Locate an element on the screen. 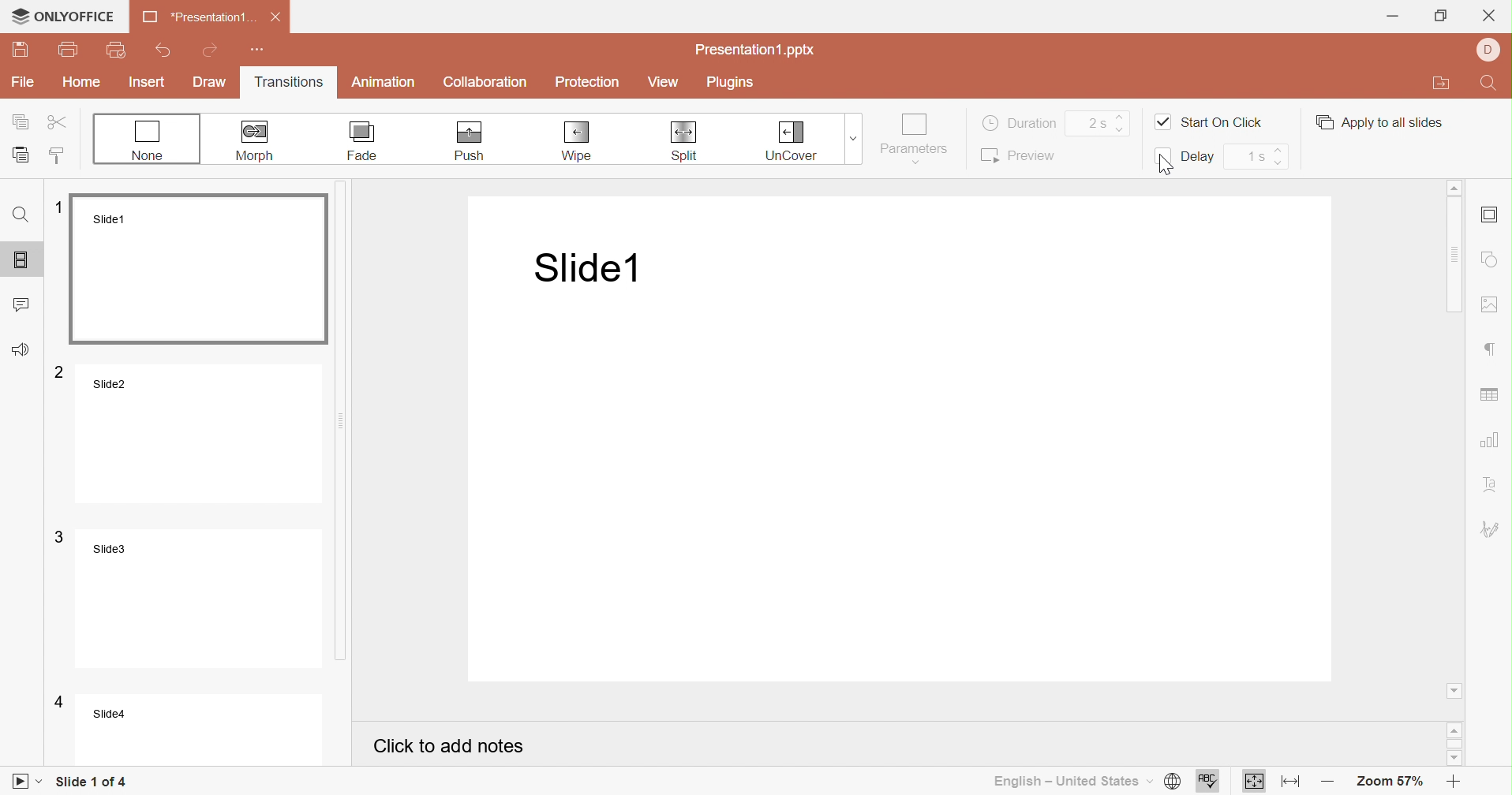 The width and height of the screenshot is (1512, 795). Duration is located at coordinates (1019, 121).